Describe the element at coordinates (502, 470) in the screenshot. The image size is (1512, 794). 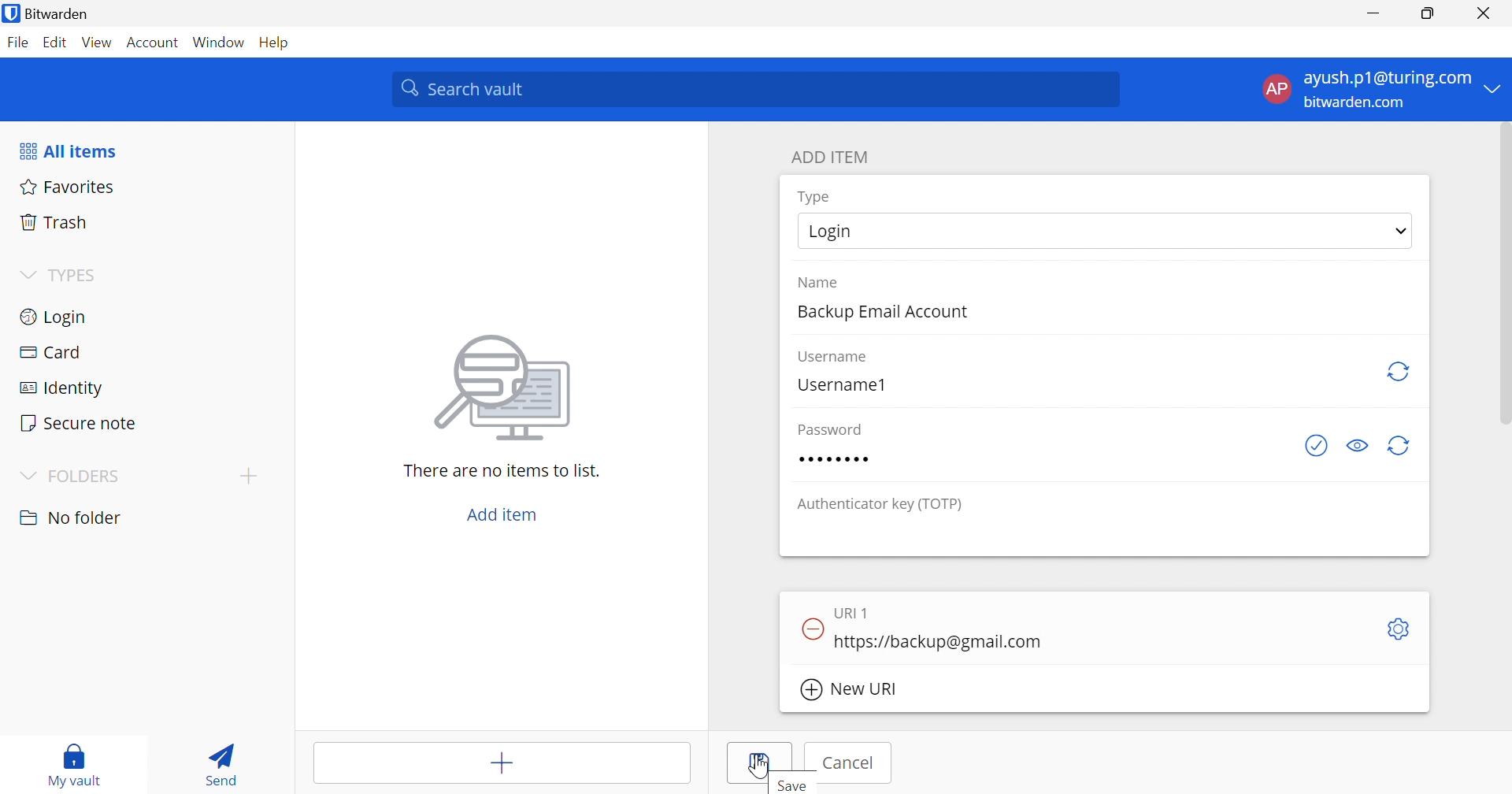
I see `There are no items to list.` at that location.